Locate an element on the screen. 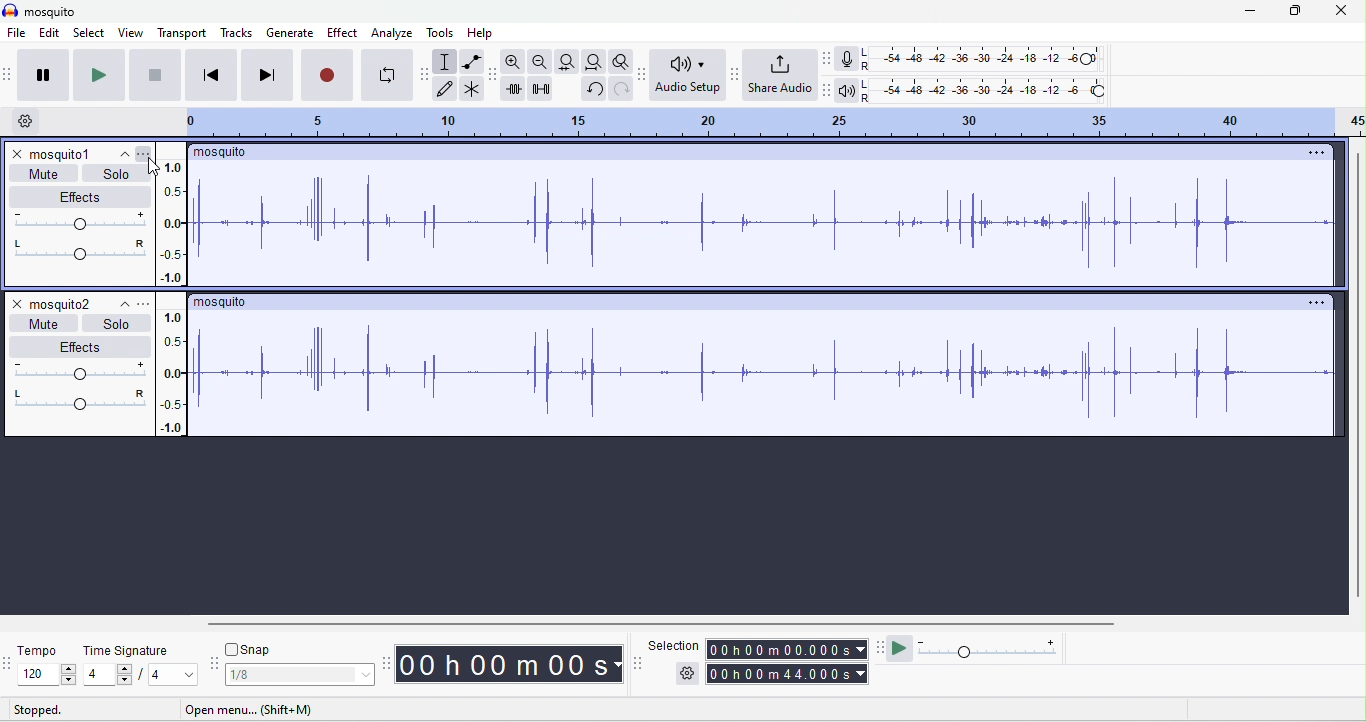 This screenshot has width=1366, height=722. track2 is located at coordinates (84, 305).